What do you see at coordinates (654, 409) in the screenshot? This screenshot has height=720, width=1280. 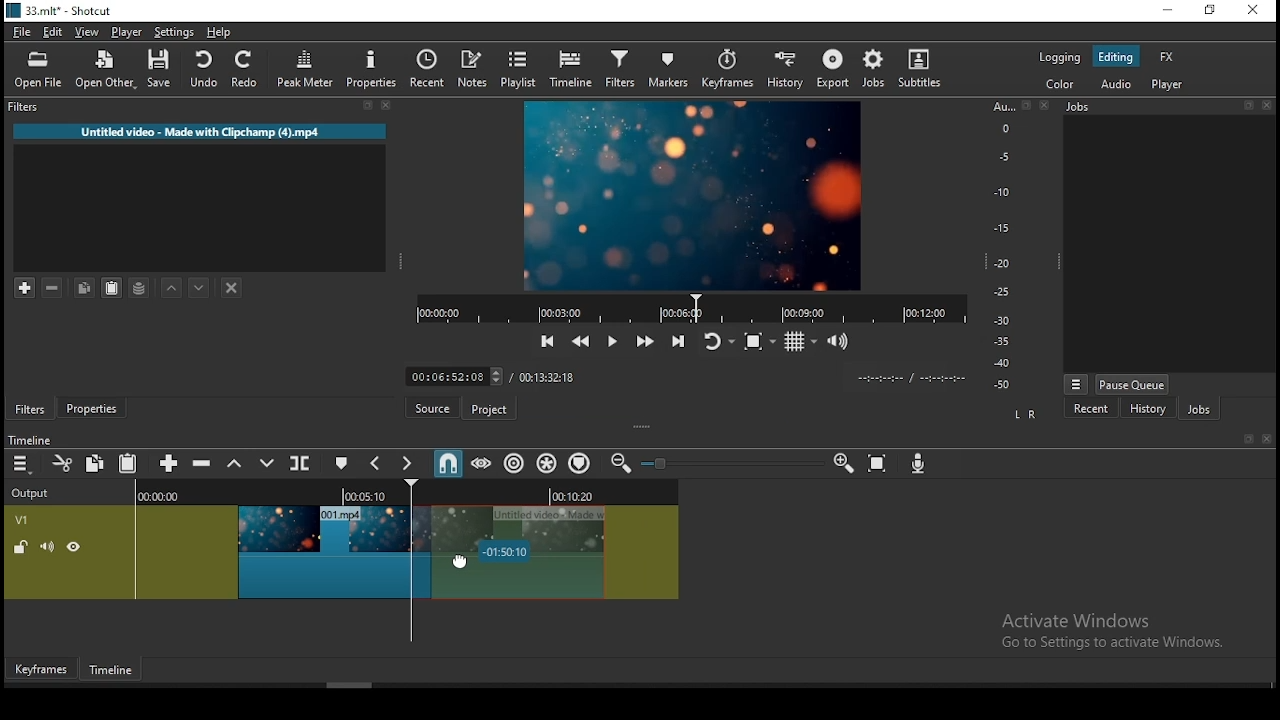 I see `Click here to check for a new version of Shotcut.` at bounding box center [654, 409].